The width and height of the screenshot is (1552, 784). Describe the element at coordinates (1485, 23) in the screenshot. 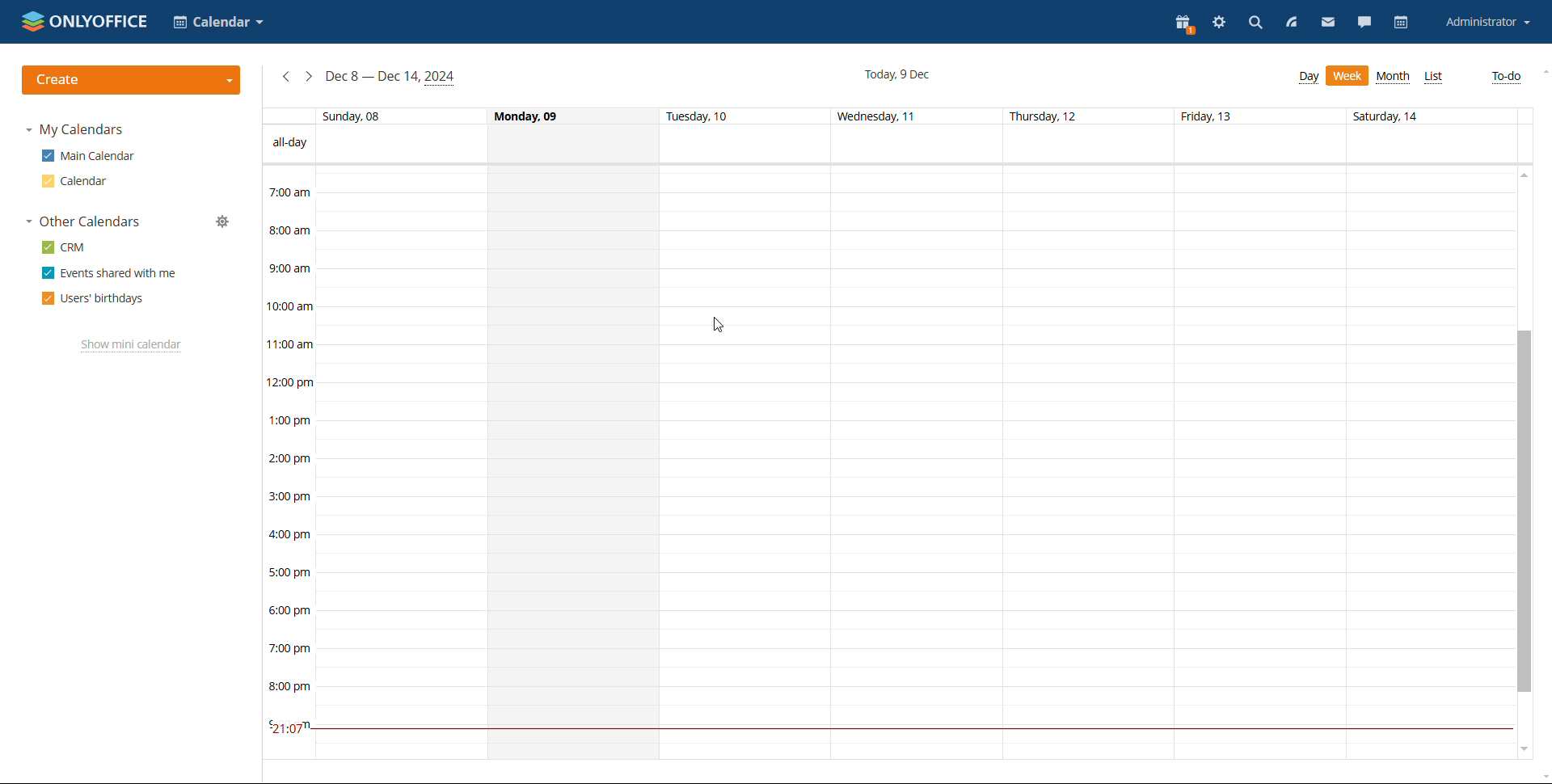

I see `account` at that location.